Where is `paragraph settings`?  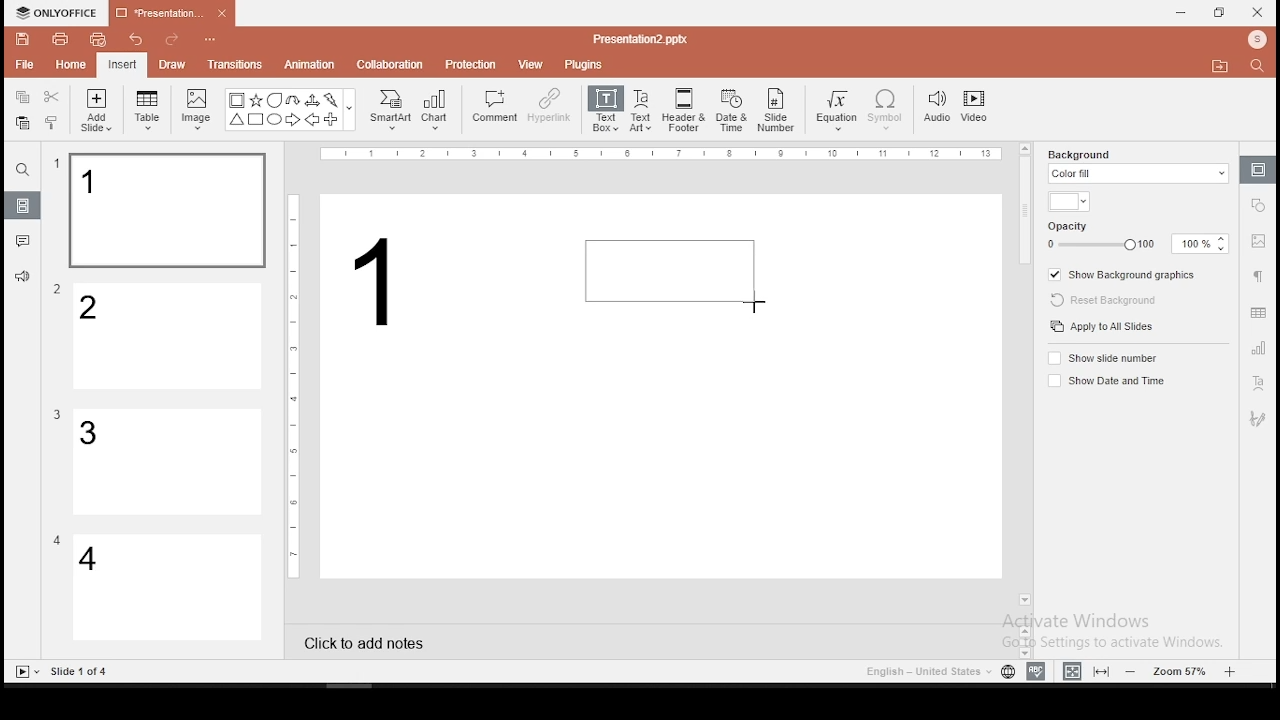 paragraph settings is located at coordinates (1256, 274).